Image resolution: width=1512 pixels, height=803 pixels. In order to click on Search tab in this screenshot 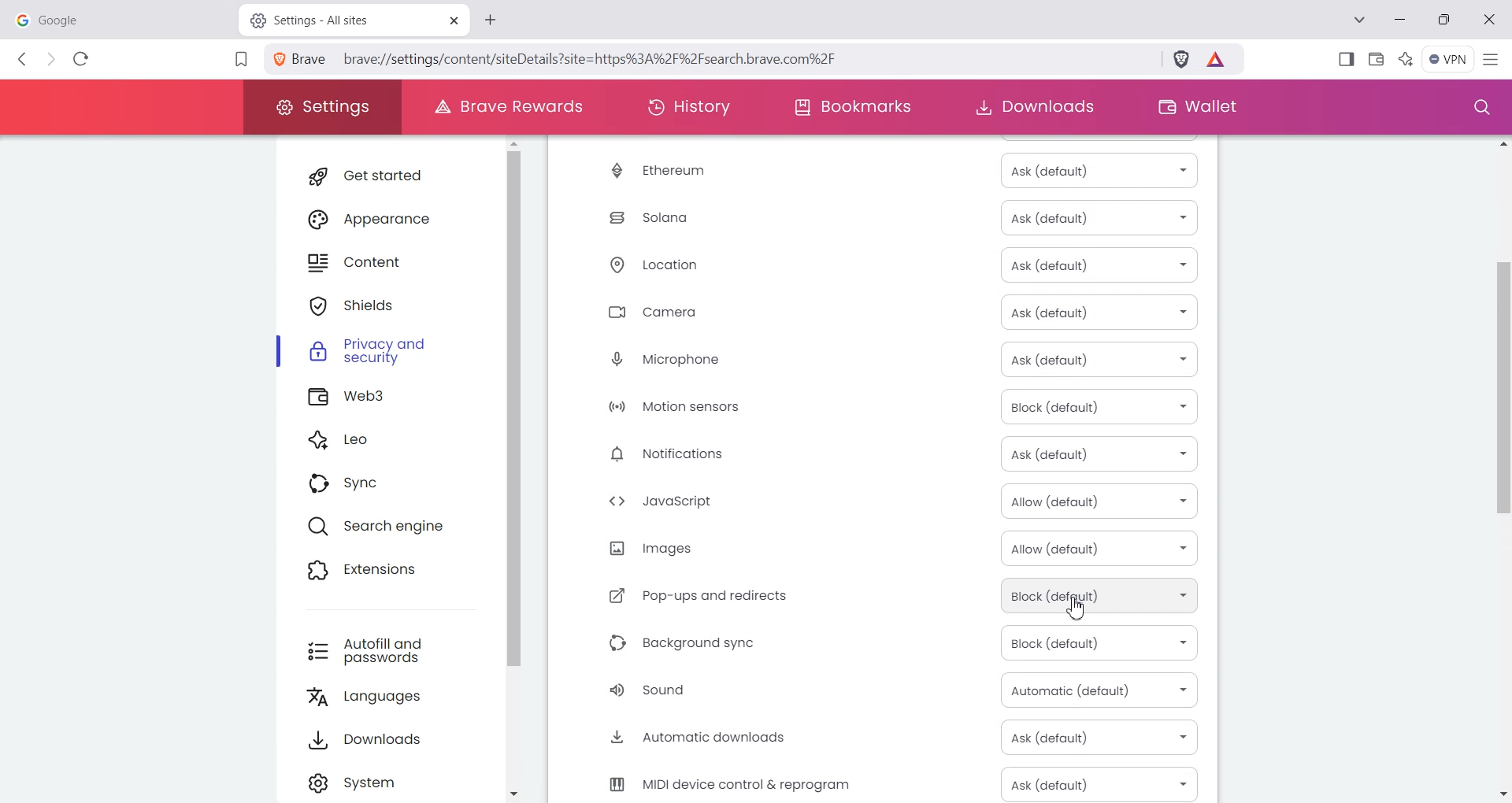, I will do `click(1362, 21)`.